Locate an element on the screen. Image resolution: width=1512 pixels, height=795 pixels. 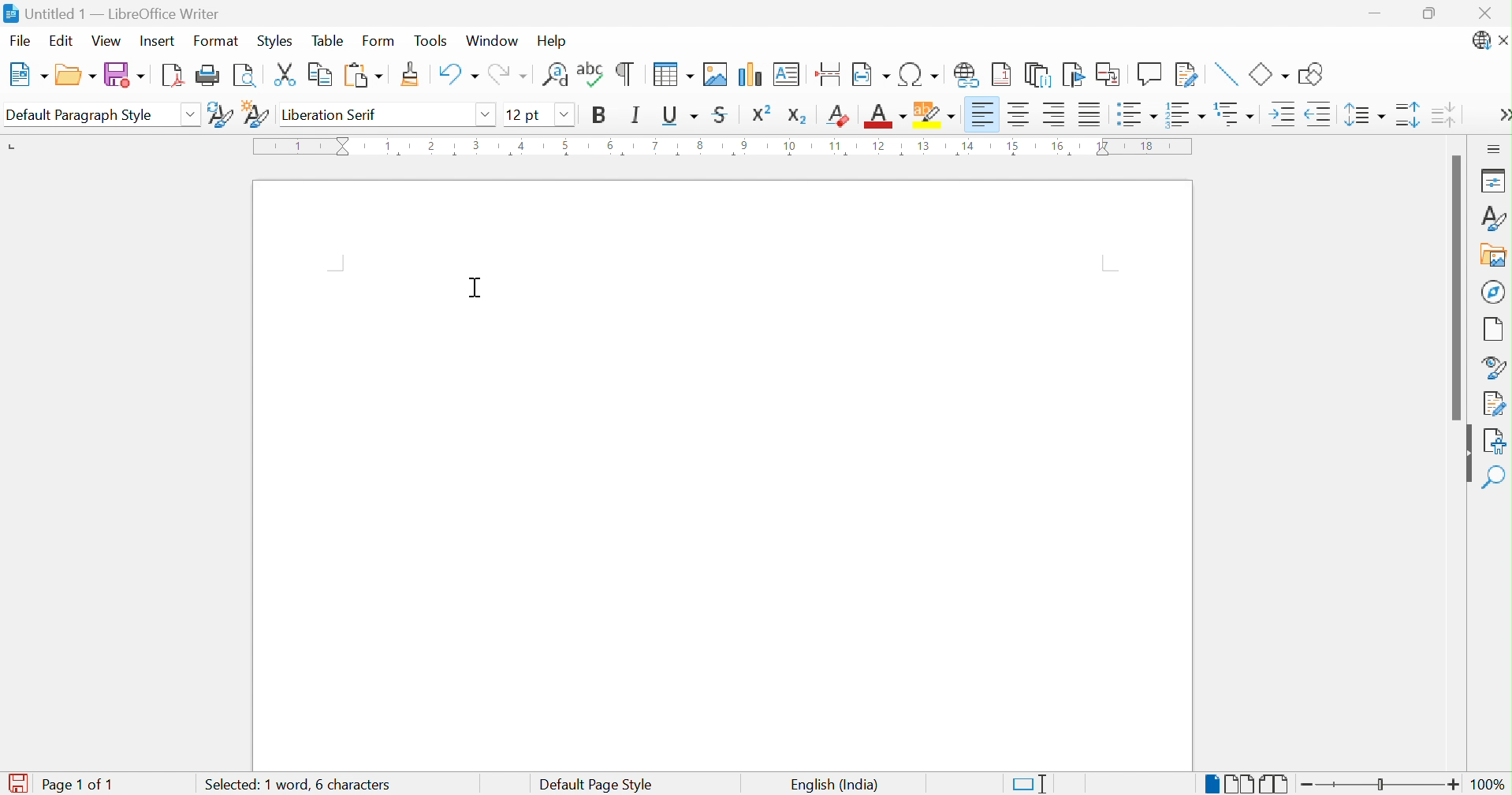
Style Inspector is located at coordinates (1494, 366).